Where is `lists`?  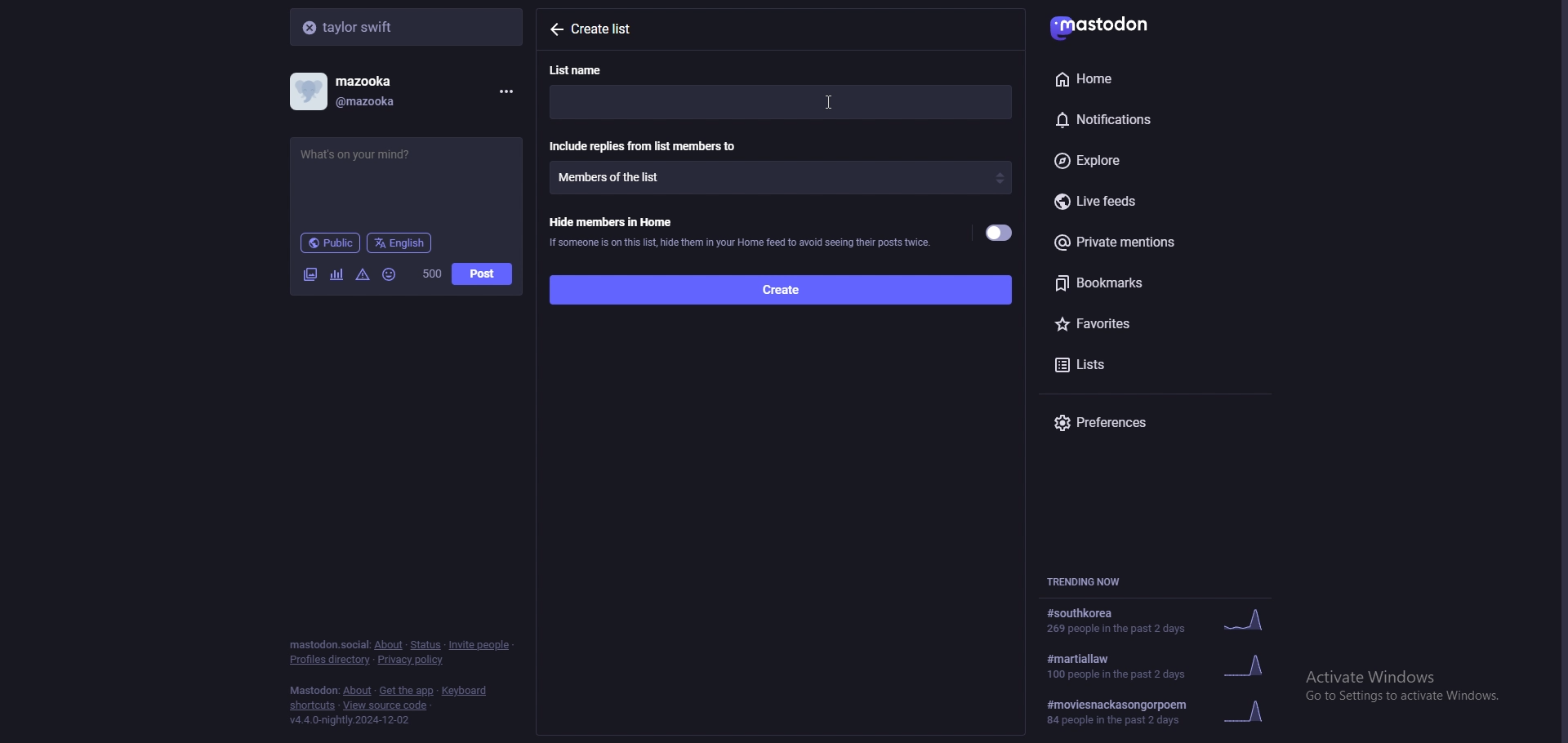
lists is located at coordinates (1118, 363).